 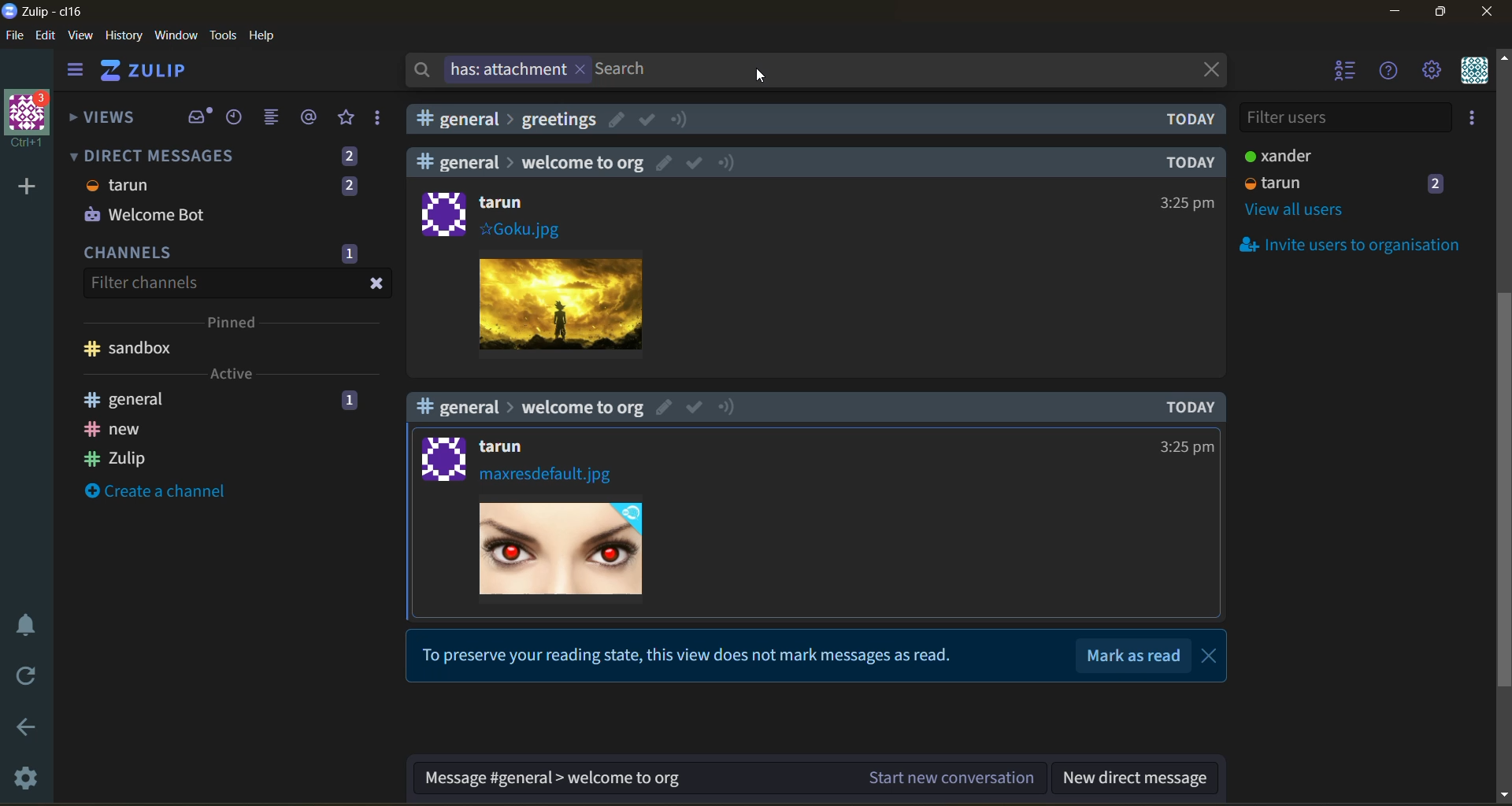 I want to click on hide sidebar, so click(x=76, y=72).